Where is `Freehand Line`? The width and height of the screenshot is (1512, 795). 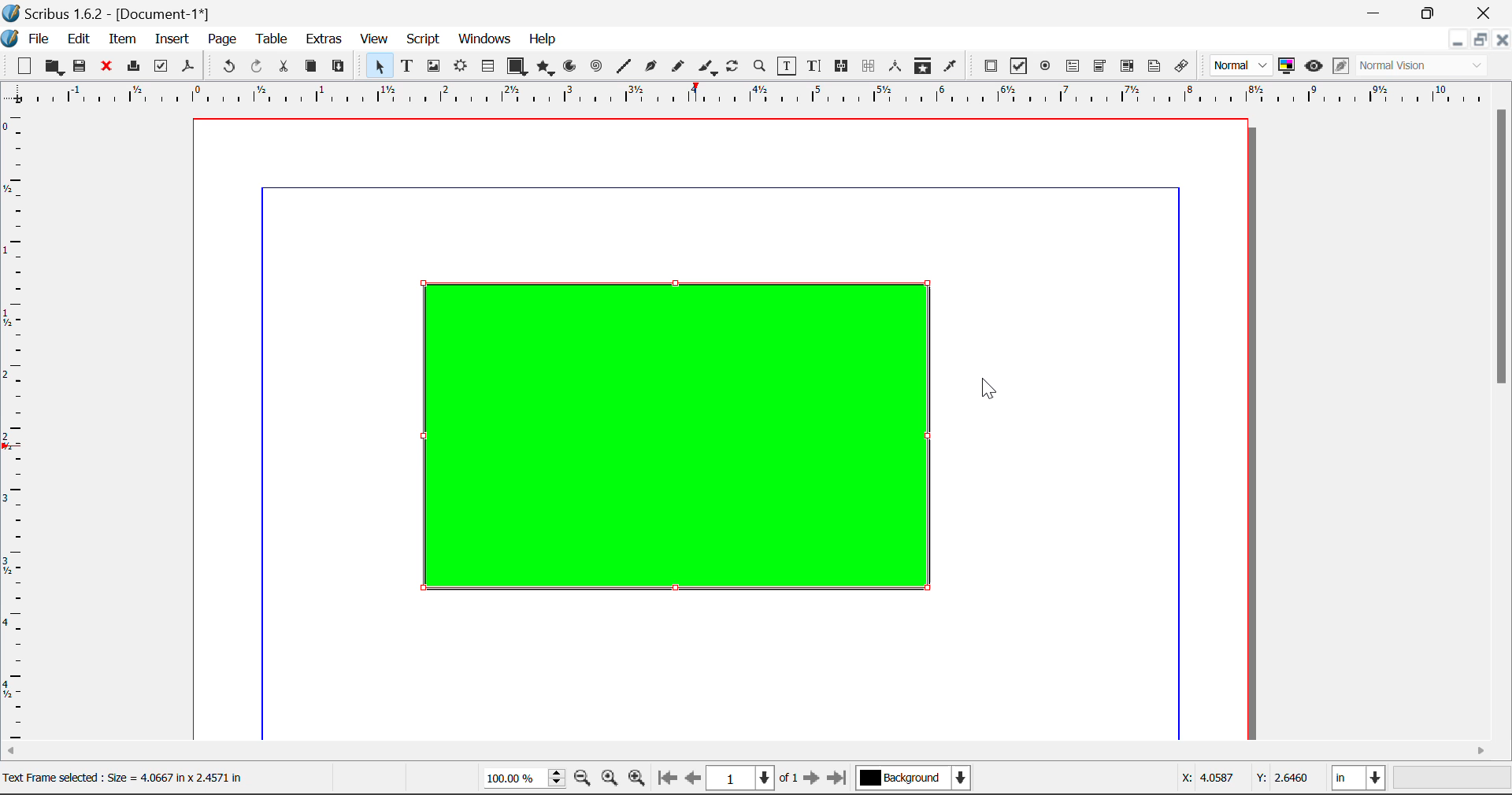
Freehand Line is located at coordinates (676, 67).